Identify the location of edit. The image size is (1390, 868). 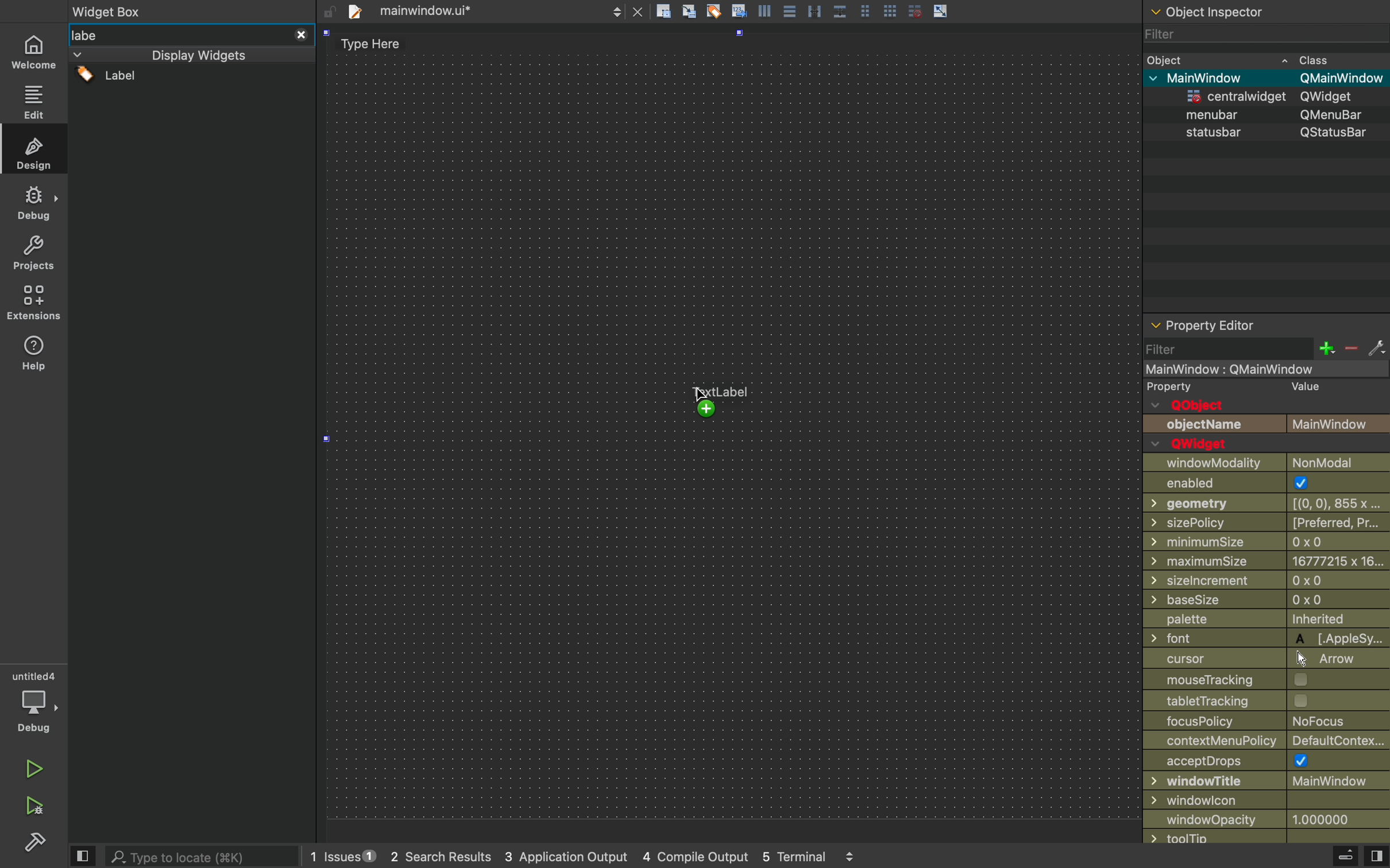
(33, 99).